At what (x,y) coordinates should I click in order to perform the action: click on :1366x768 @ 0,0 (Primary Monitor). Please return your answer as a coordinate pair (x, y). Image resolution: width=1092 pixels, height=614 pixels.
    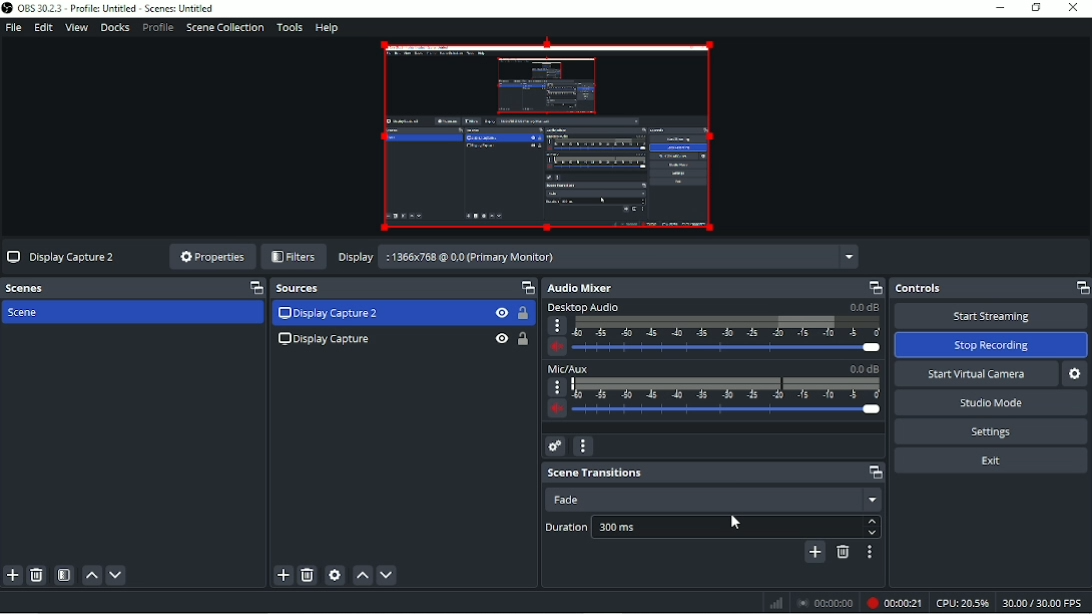
    Looking at the image, I should click on (619, 257).